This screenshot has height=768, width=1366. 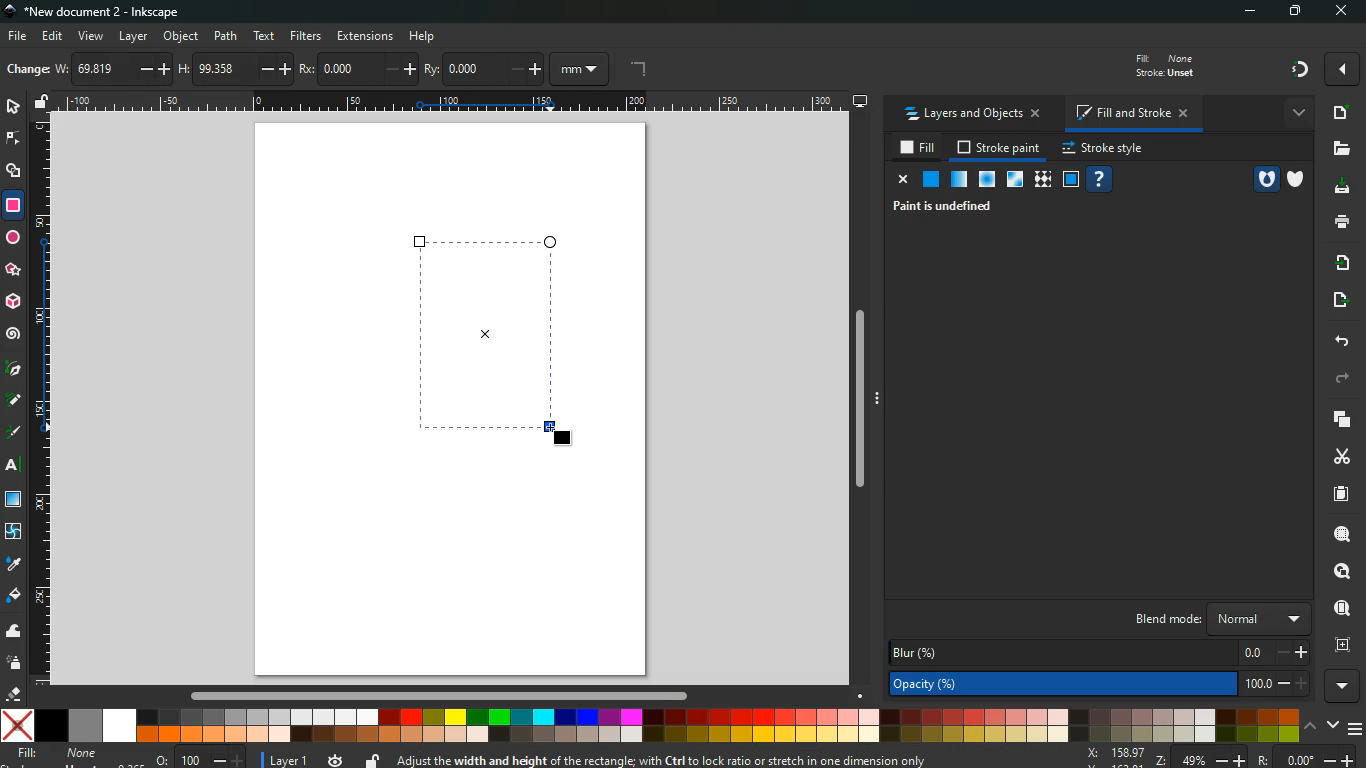 I want to click on unlock, so click(x=44, y=102).